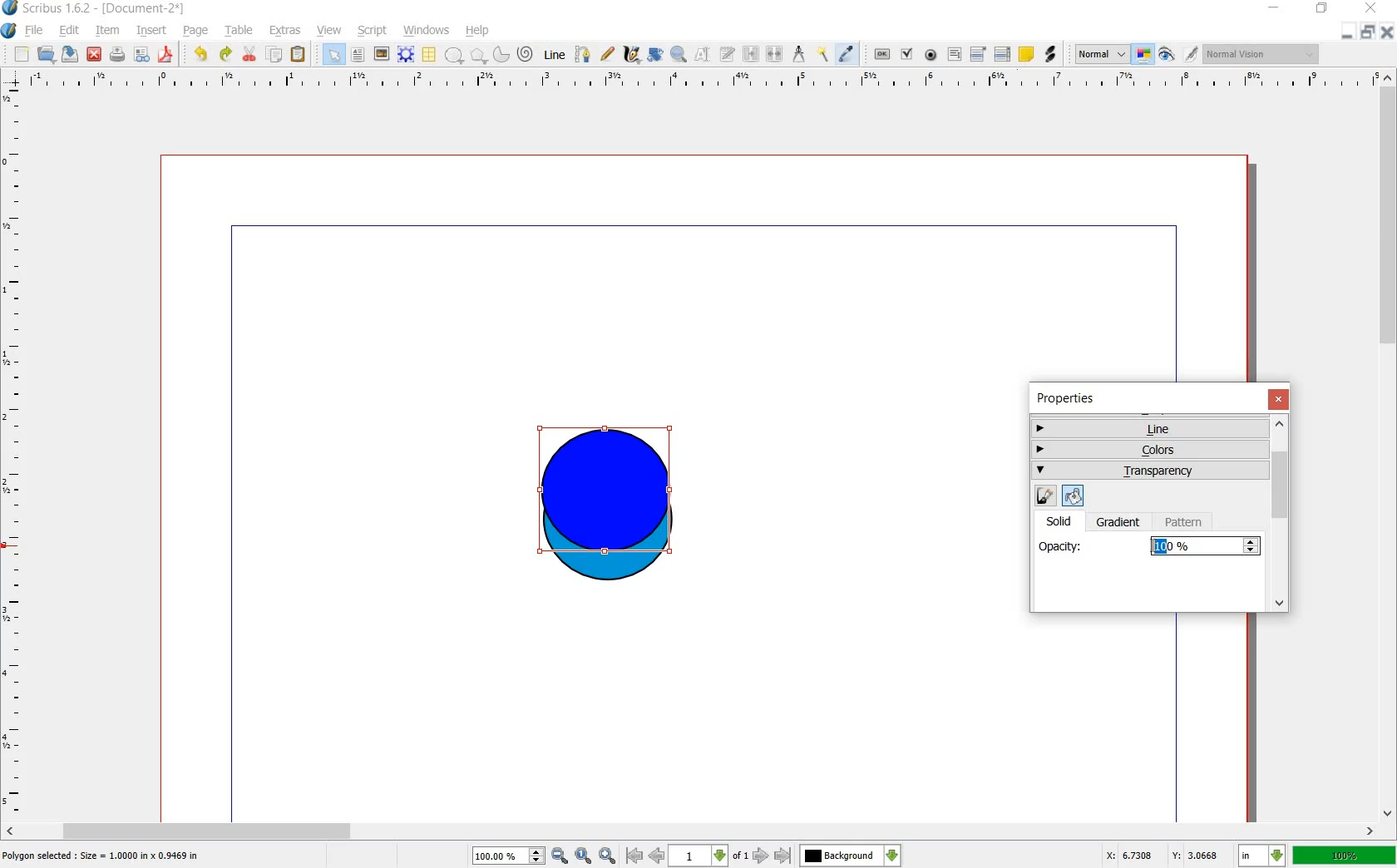 The image size is (1397, 868). Describe the element at coordinates (606, 494) in the screenshot. I see `shape selected` at that location.